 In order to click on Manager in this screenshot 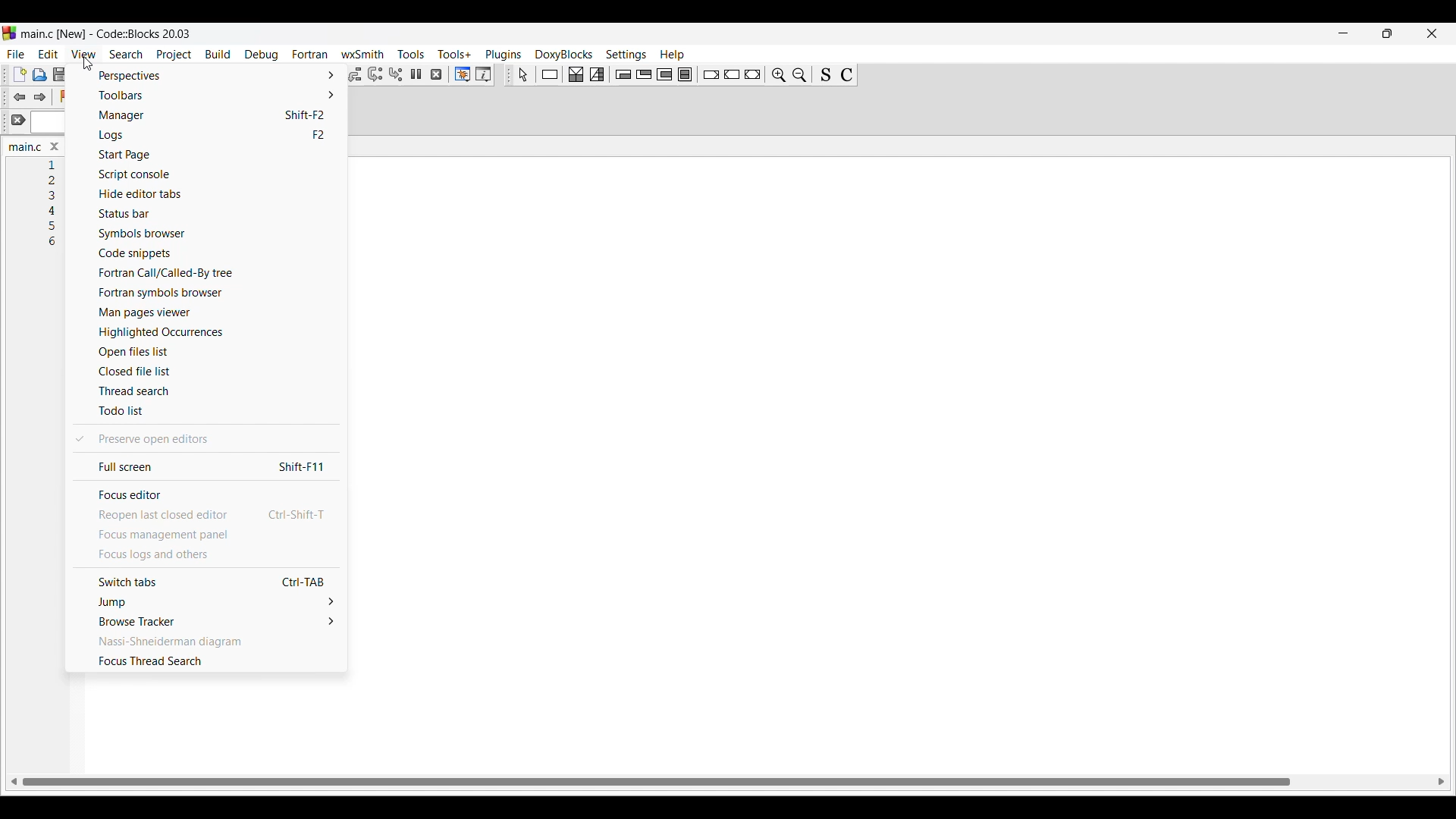, I will do `click(209, 115)`.